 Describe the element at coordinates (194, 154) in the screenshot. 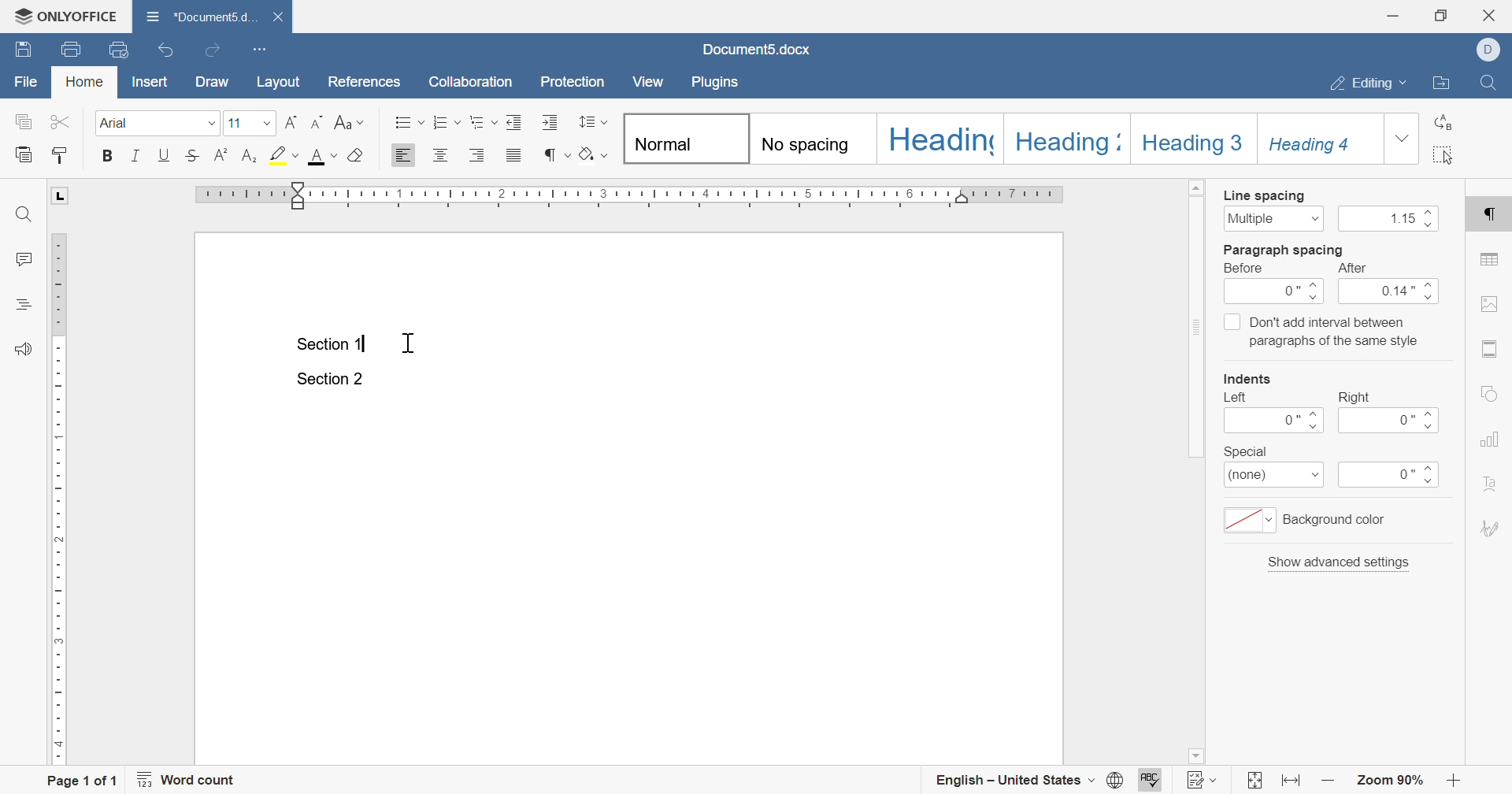

I see `strikethrough` at that location.